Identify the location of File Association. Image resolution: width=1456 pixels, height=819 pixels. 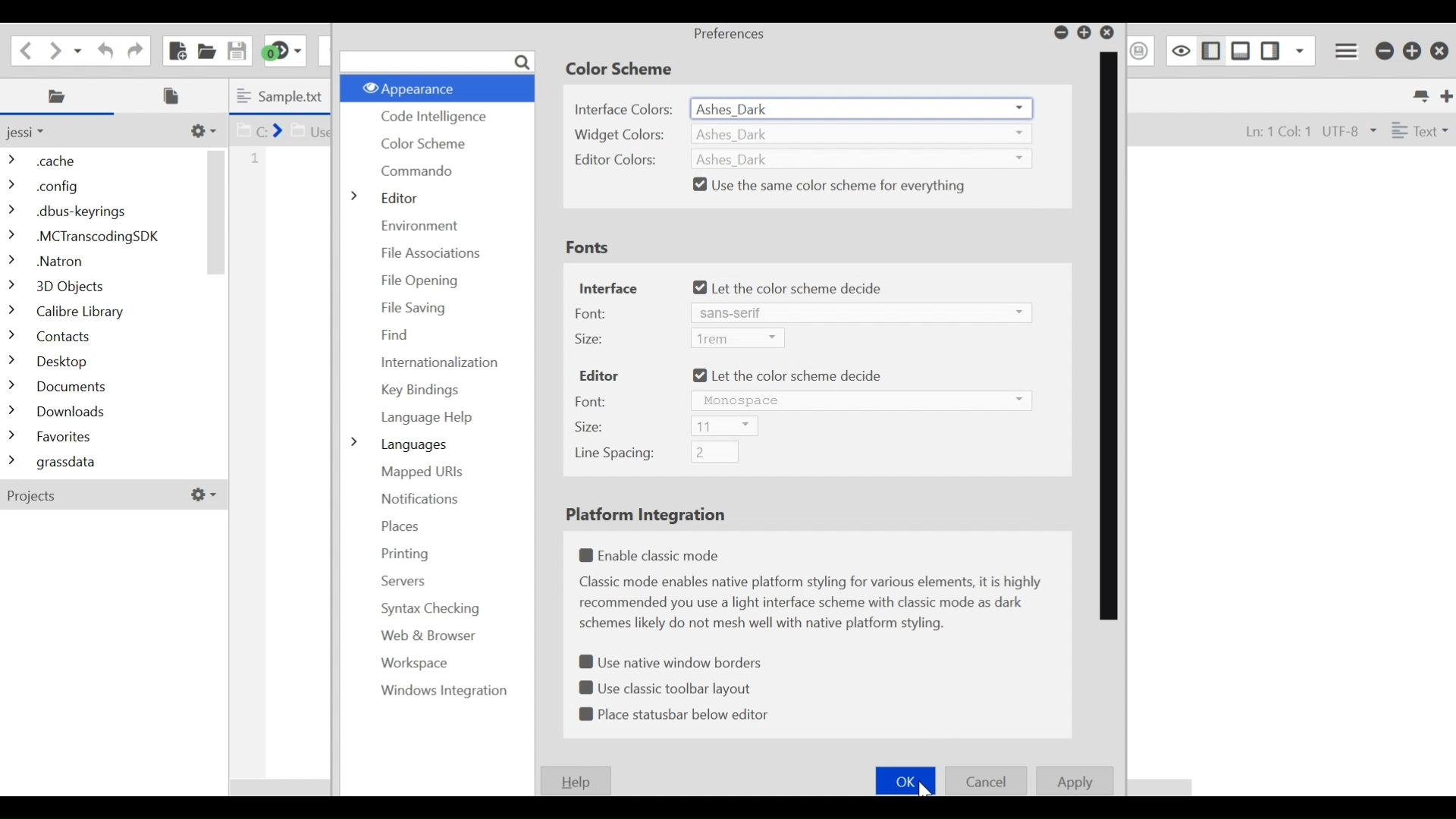
(433, 253).